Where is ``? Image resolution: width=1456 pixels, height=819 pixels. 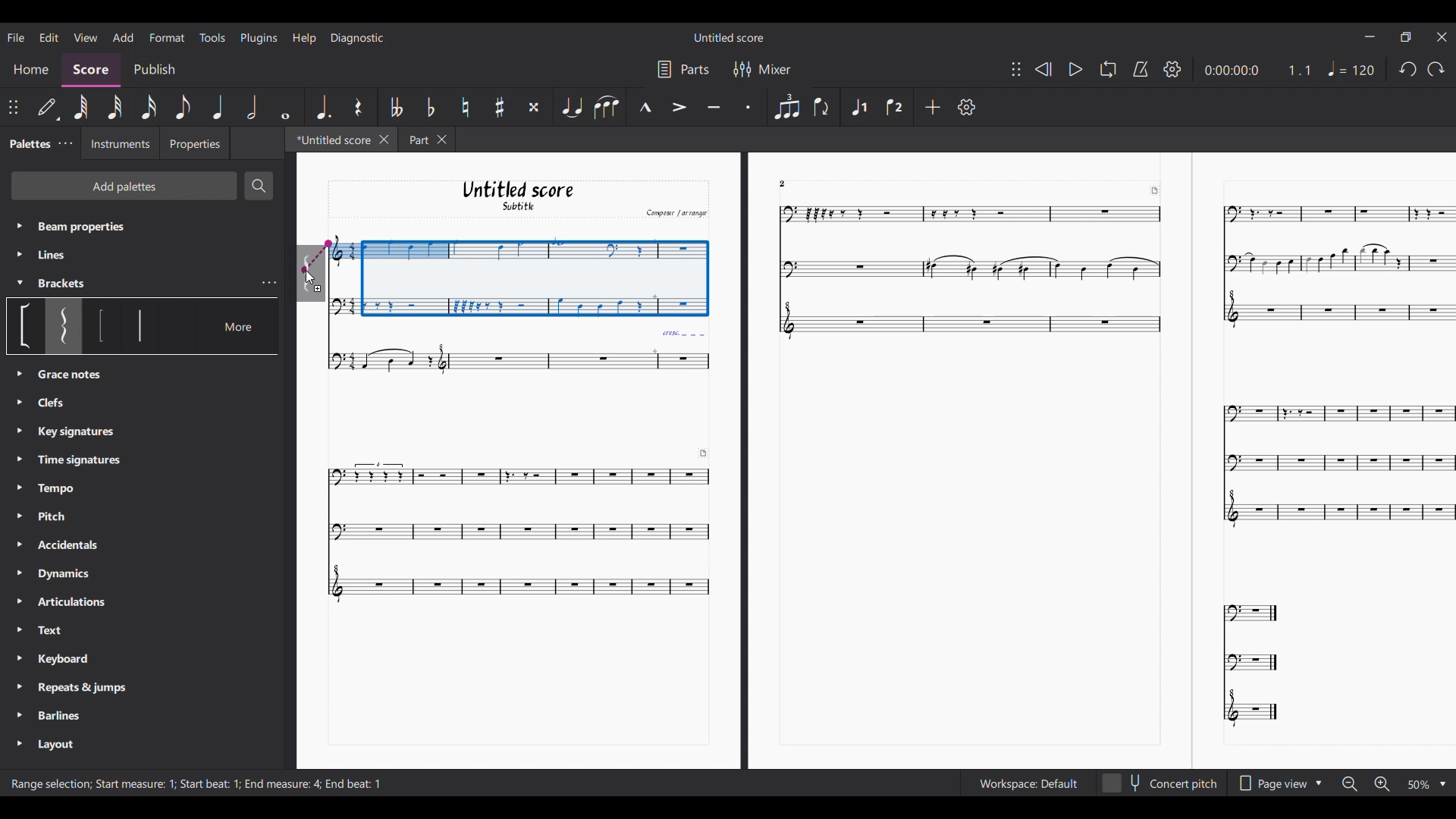
 is located at coordinates (1247, 707).